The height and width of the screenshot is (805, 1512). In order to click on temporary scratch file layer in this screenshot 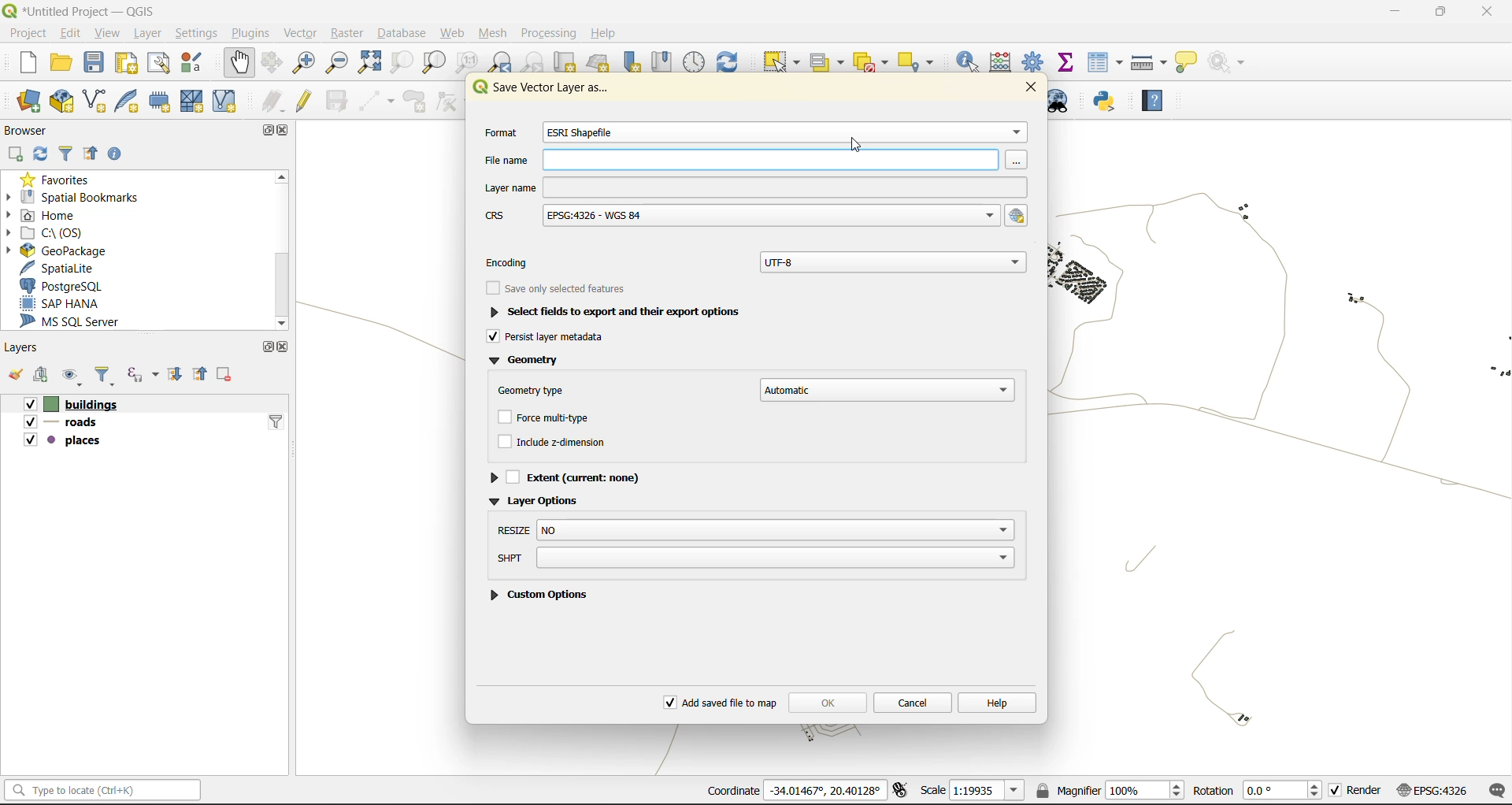, I will do `click(165, 100)`.